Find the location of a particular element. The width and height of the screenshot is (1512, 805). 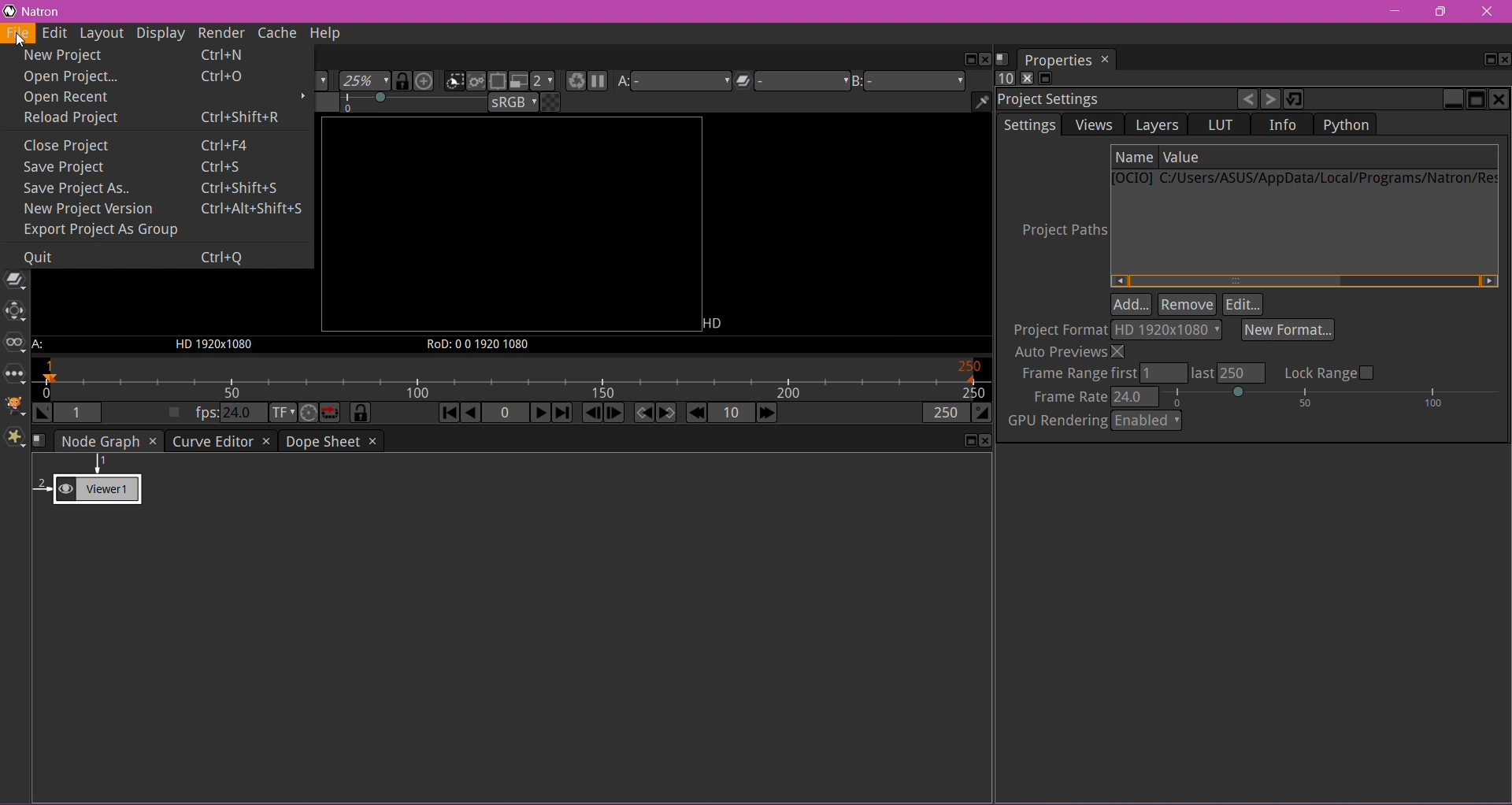

The zoom applied to the image on the viewer is located at coordinates (365, 82).